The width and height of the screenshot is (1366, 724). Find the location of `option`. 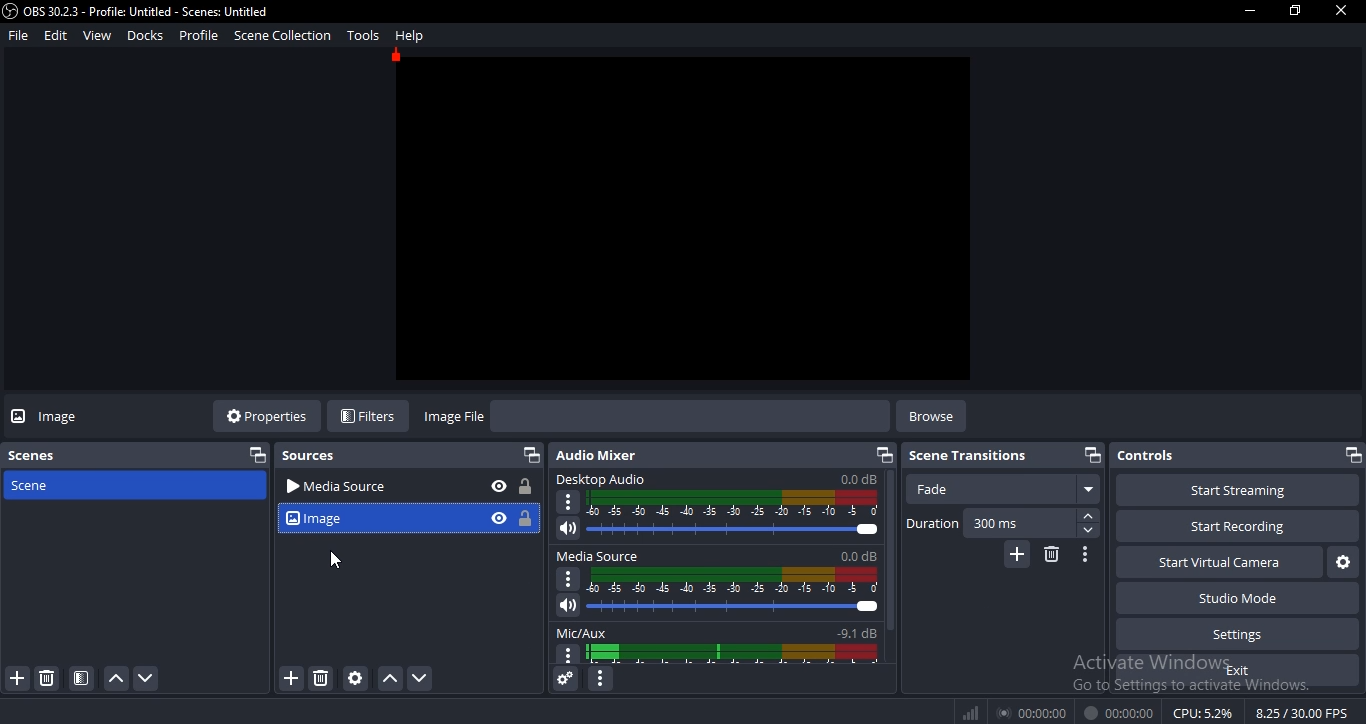

option is located at coordinates (569, 503).